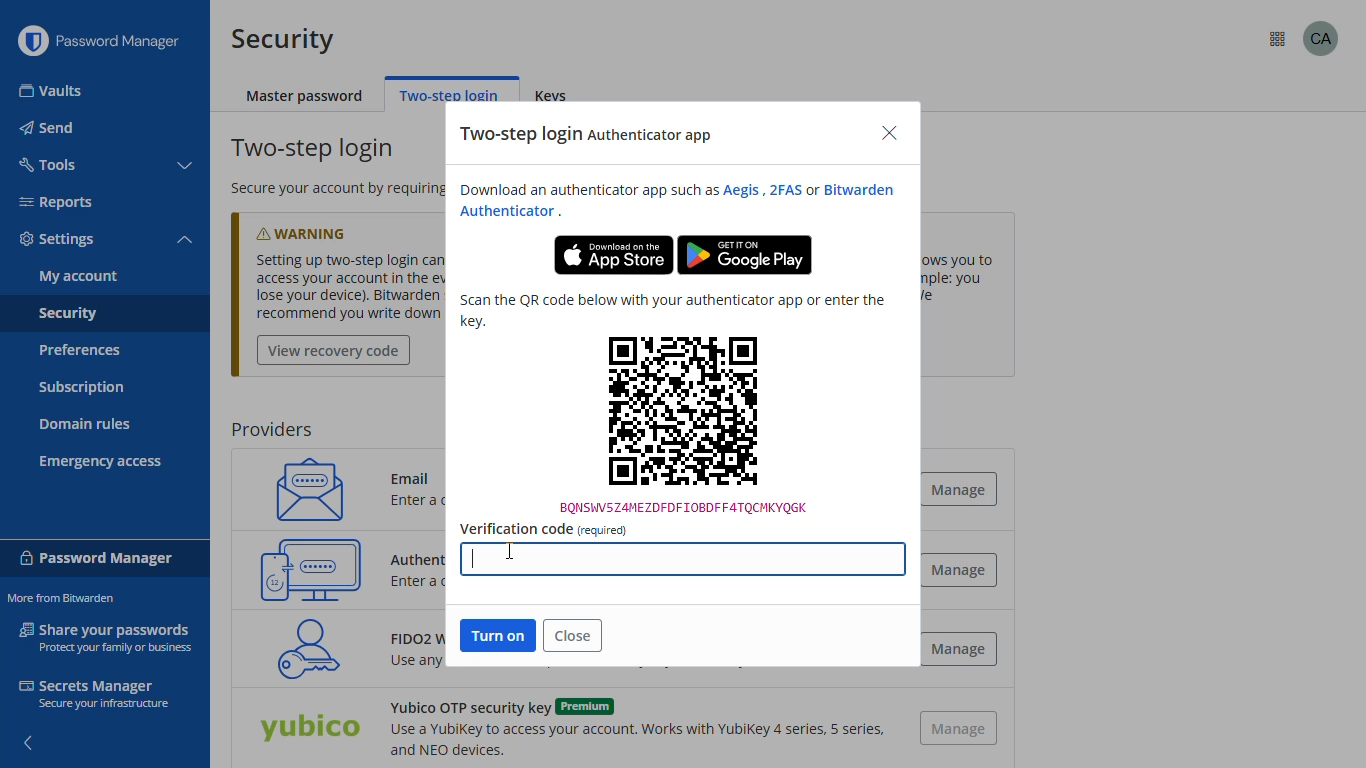 This screenshot has height=768, width=1366. Describe the element at coordinates (588, 135) in the screenshot. I see `two-step login authenticator app` at that location.